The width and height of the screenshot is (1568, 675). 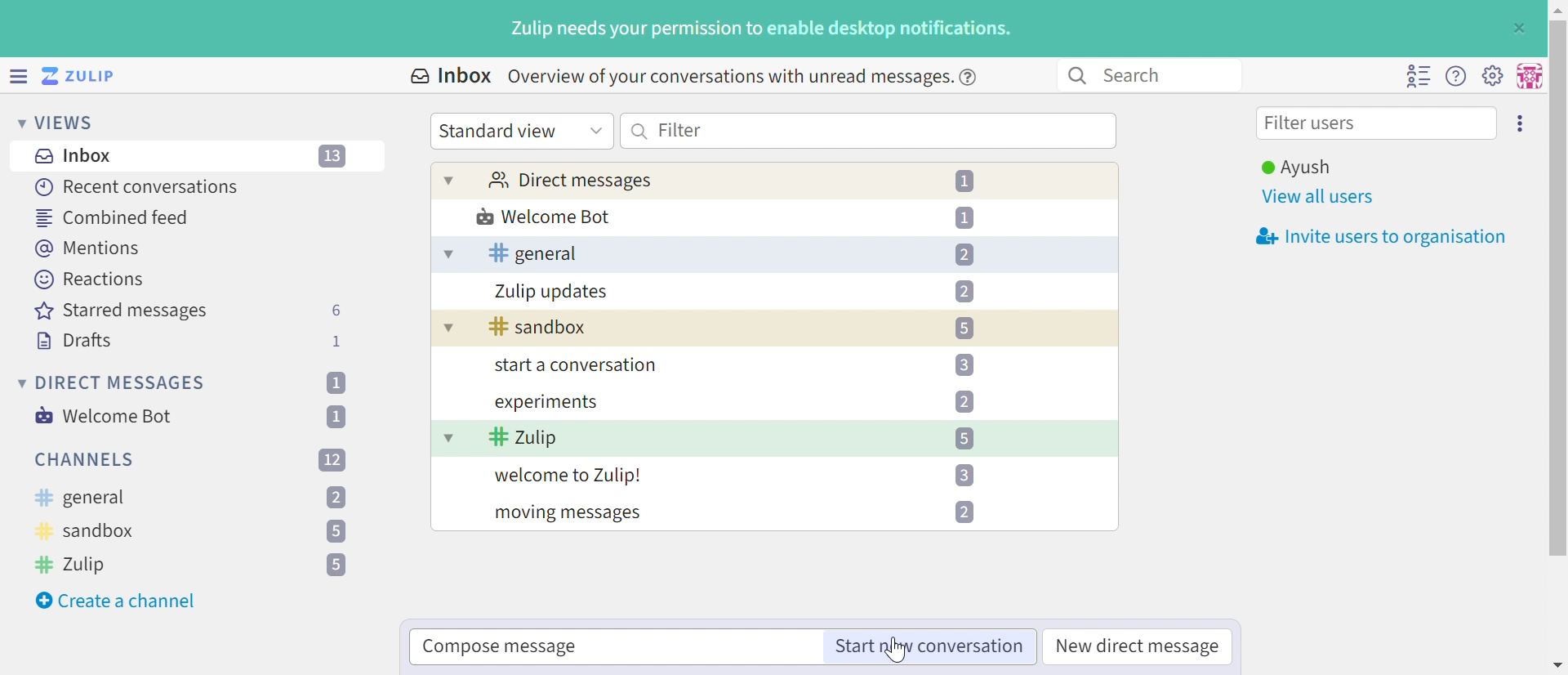 What do you see at coordinates (973, 76) in the screenshot?
I see `Help Center` at bounding box center [973, 76].